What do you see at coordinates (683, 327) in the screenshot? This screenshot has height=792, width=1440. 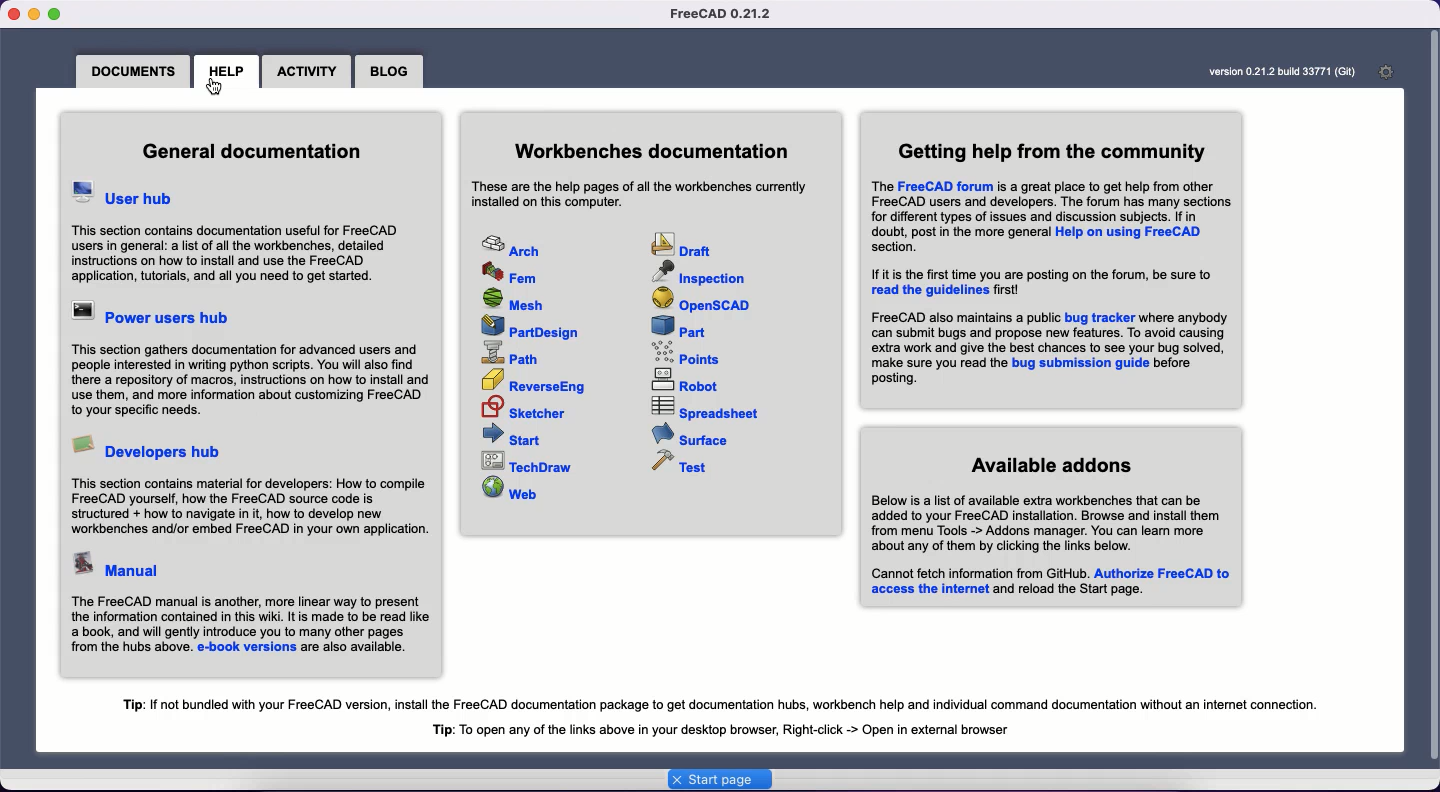 I see `Part` at bounding box center [683, 327].